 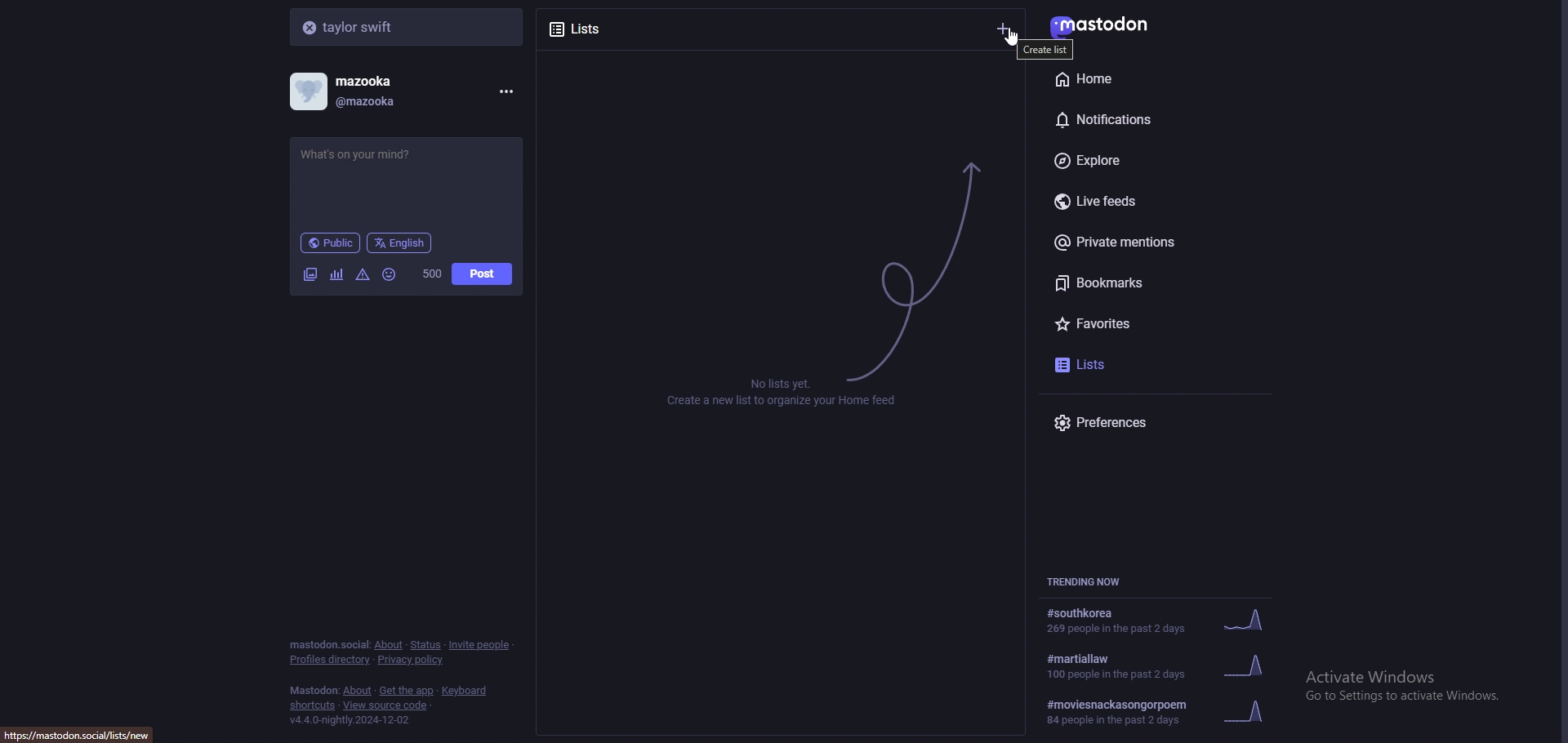 I want to click on about, so click(x=359, y=692).